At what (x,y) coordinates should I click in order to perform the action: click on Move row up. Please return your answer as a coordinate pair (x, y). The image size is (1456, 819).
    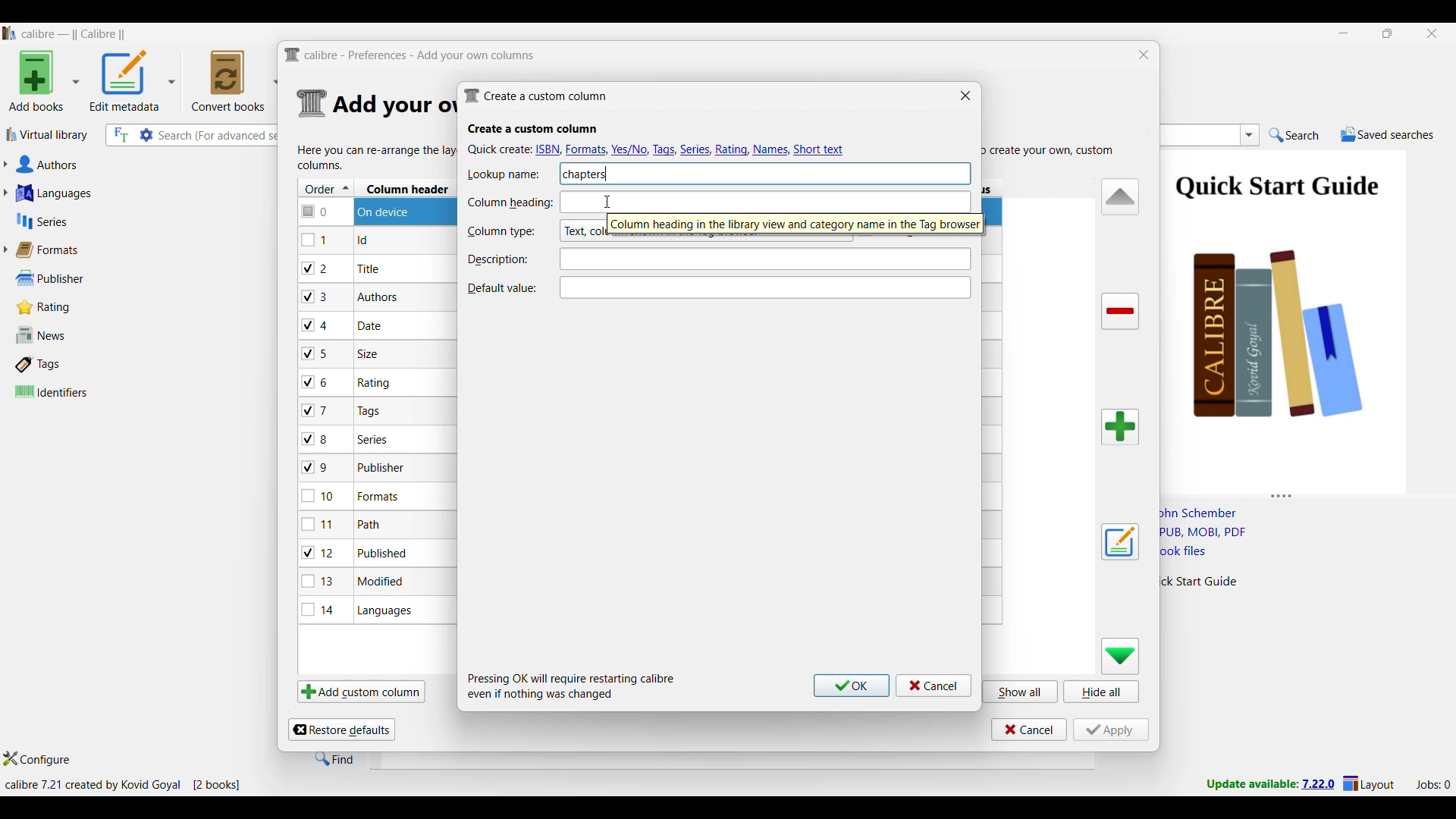
    Looking at the image, I should click on (1121, 196).